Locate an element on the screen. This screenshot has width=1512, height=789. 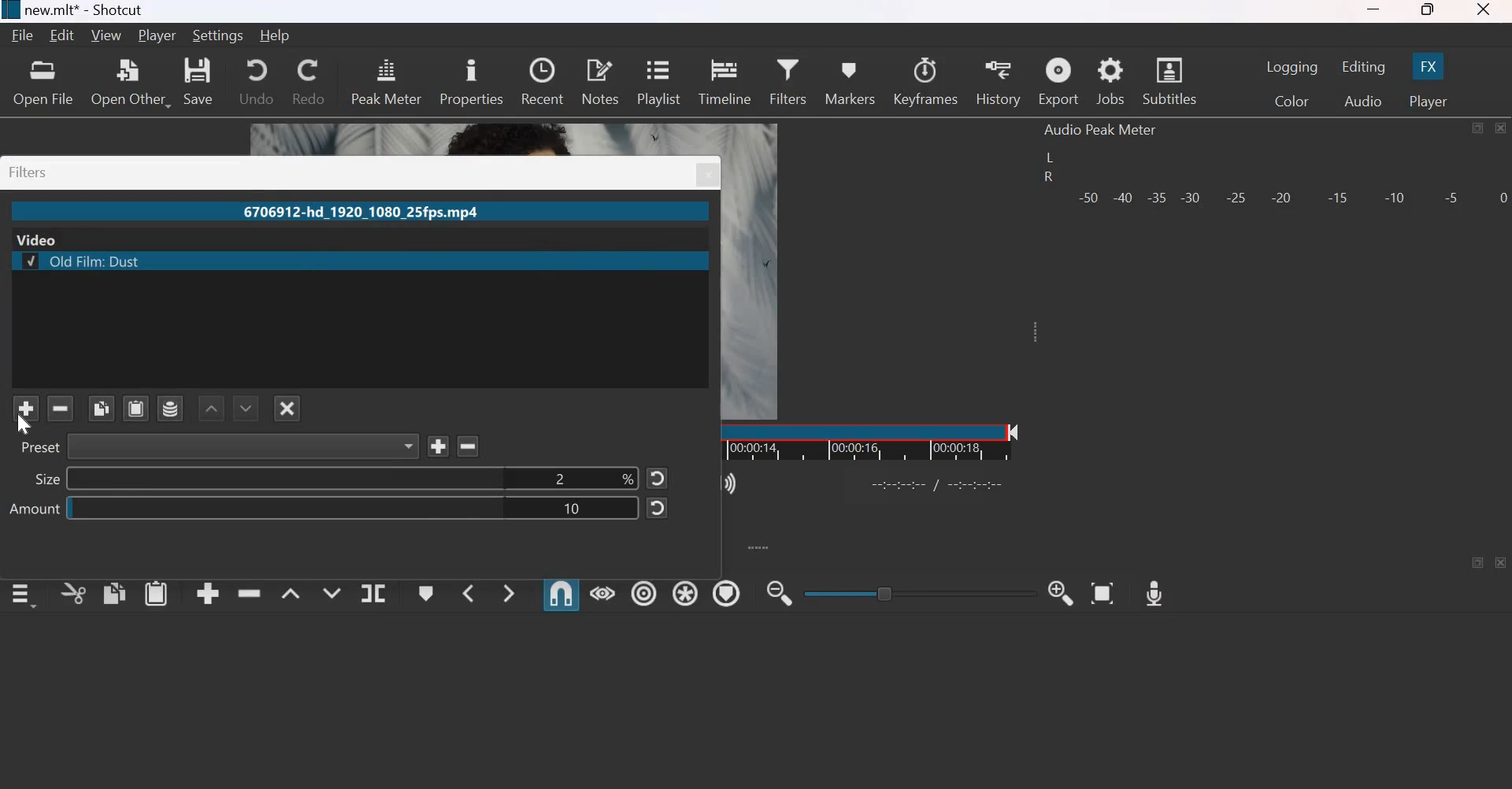
save is located at coordinates (202, 83).